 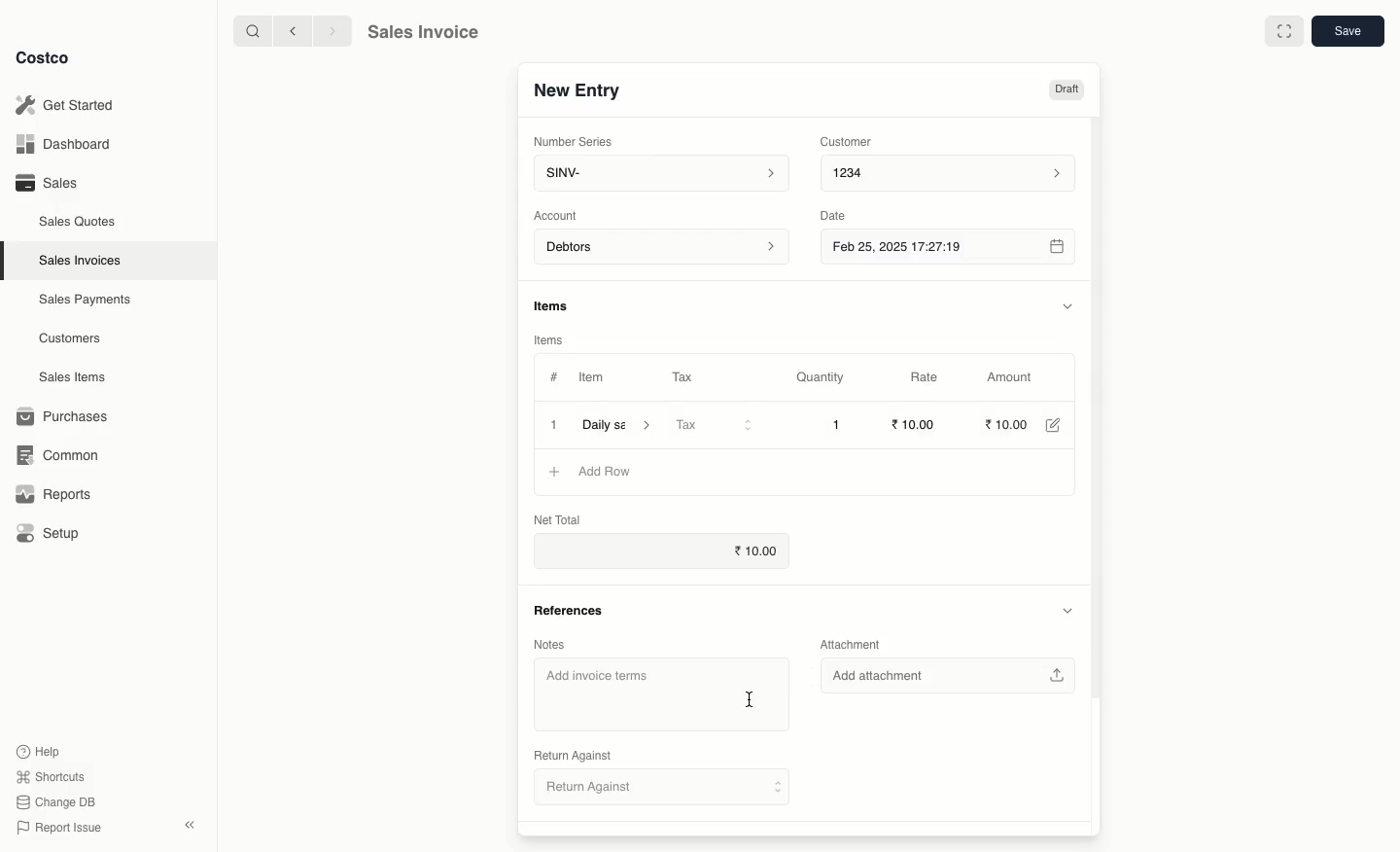 What do you see at coordinates (48, 184) in the screenshot?
I see `Sales` at bounding box center [48, 184].